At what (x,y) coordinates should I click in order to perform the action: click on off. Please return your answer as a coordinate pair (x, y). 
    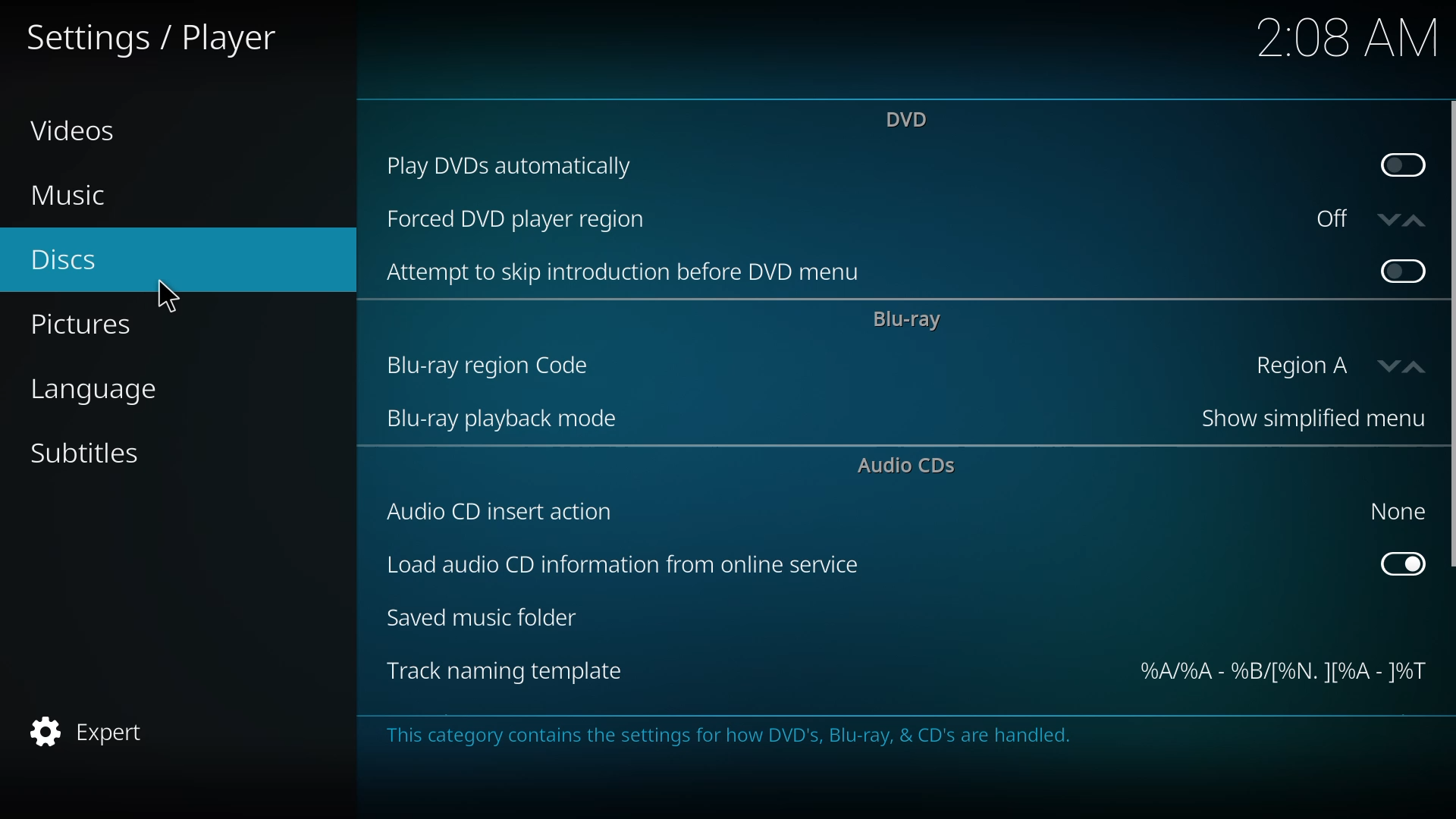
    Looking at the image, I should click on (1363, 218).